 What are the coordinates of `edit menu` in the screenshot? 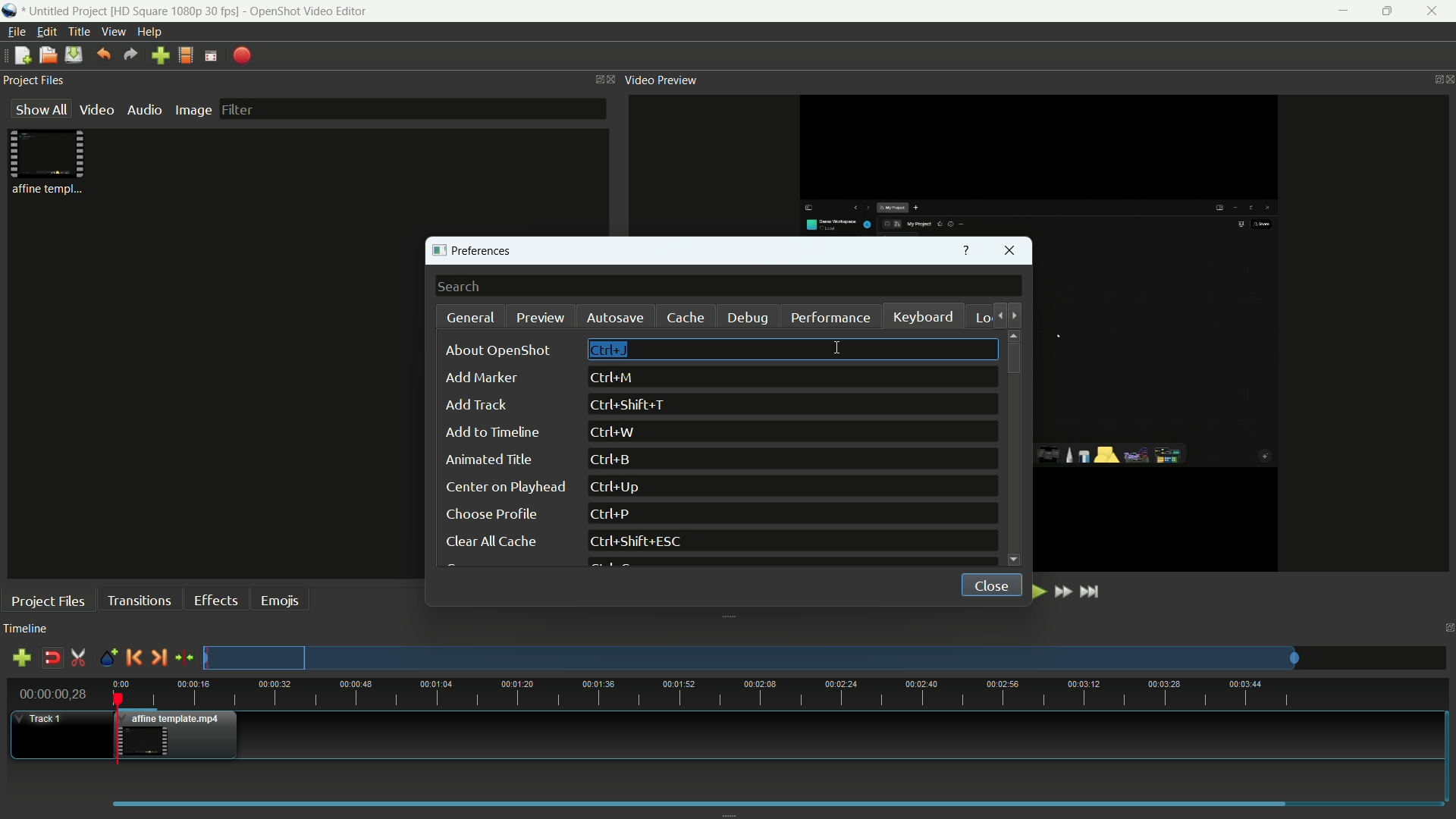 It's located at (47, 32).